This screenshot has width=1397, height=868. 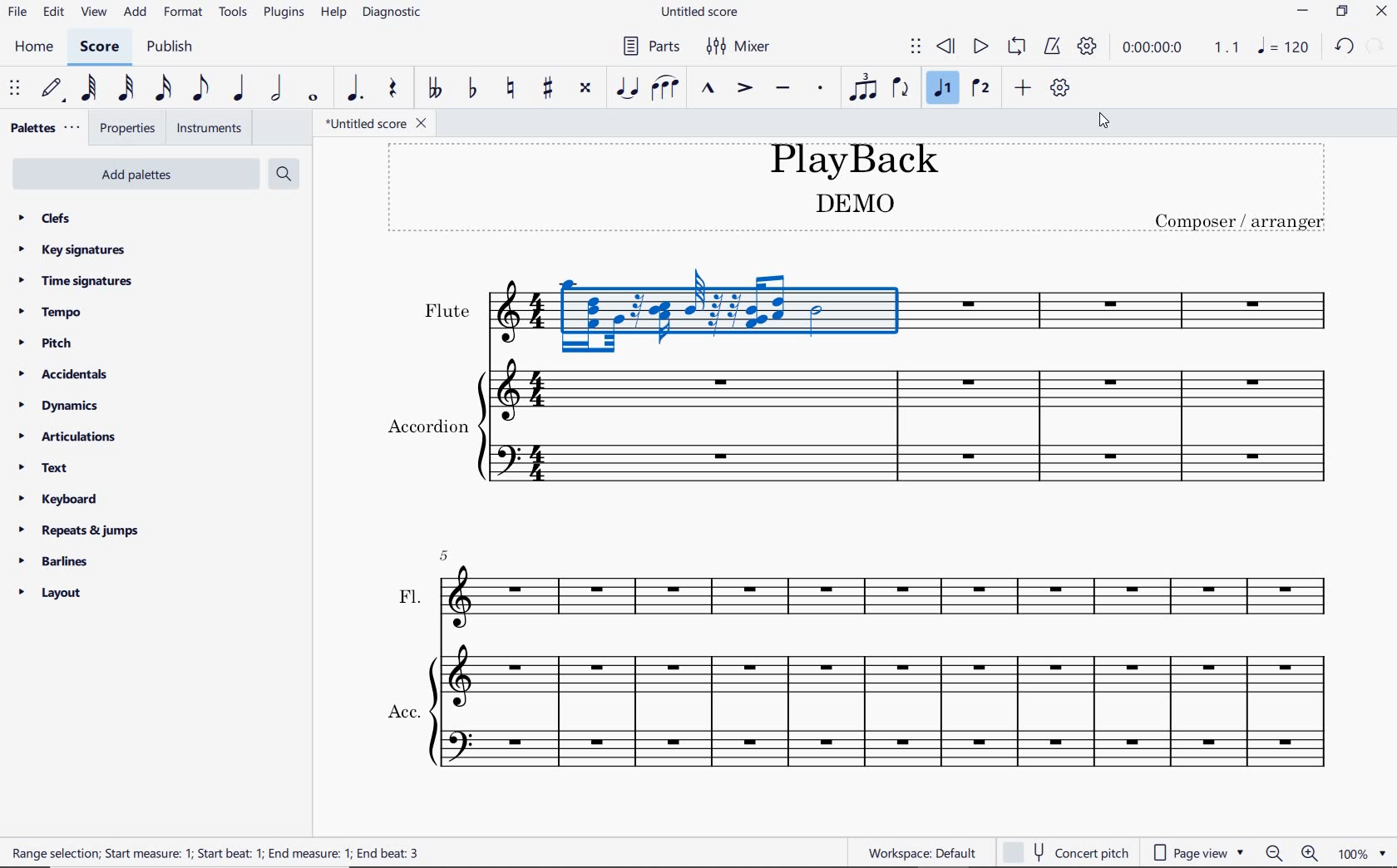 I want to click on add, so click(x=135, y=11).